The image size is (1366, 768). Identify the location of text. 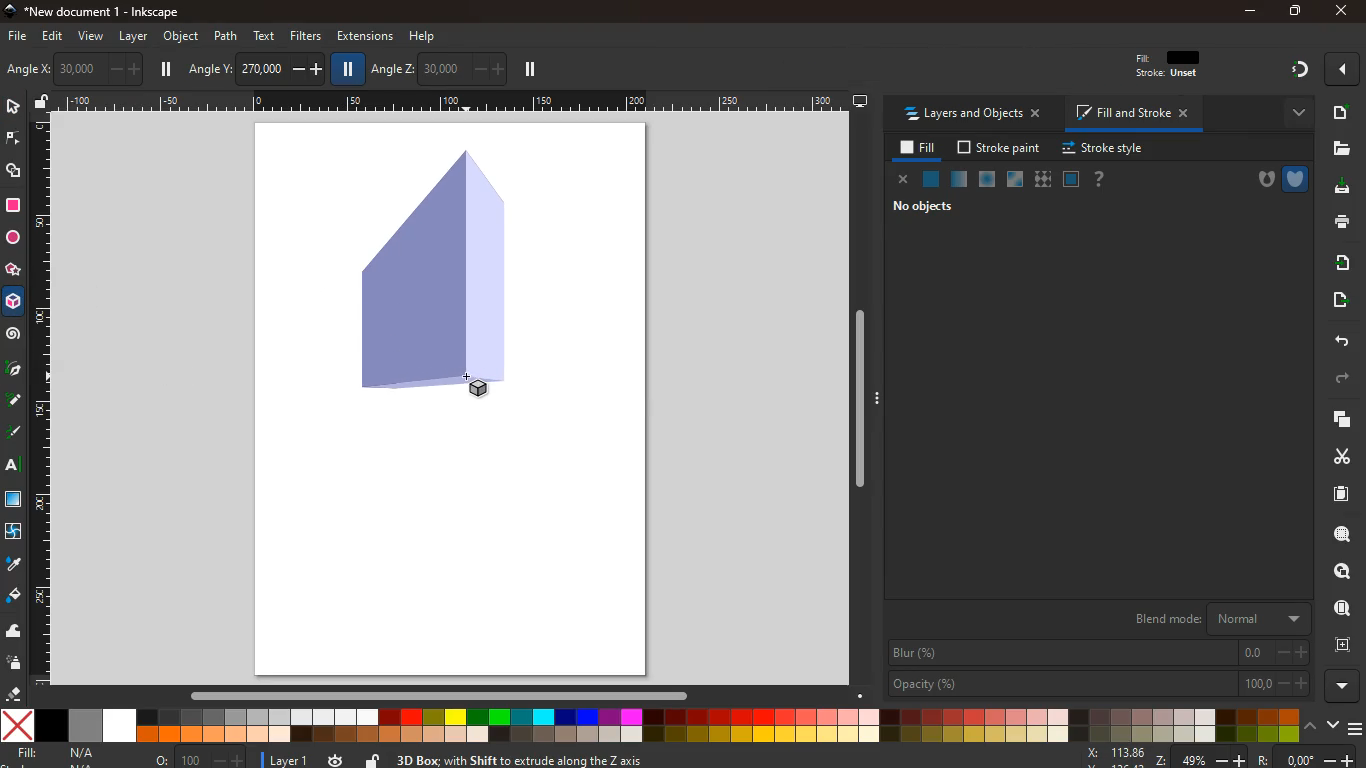
(10, 466).